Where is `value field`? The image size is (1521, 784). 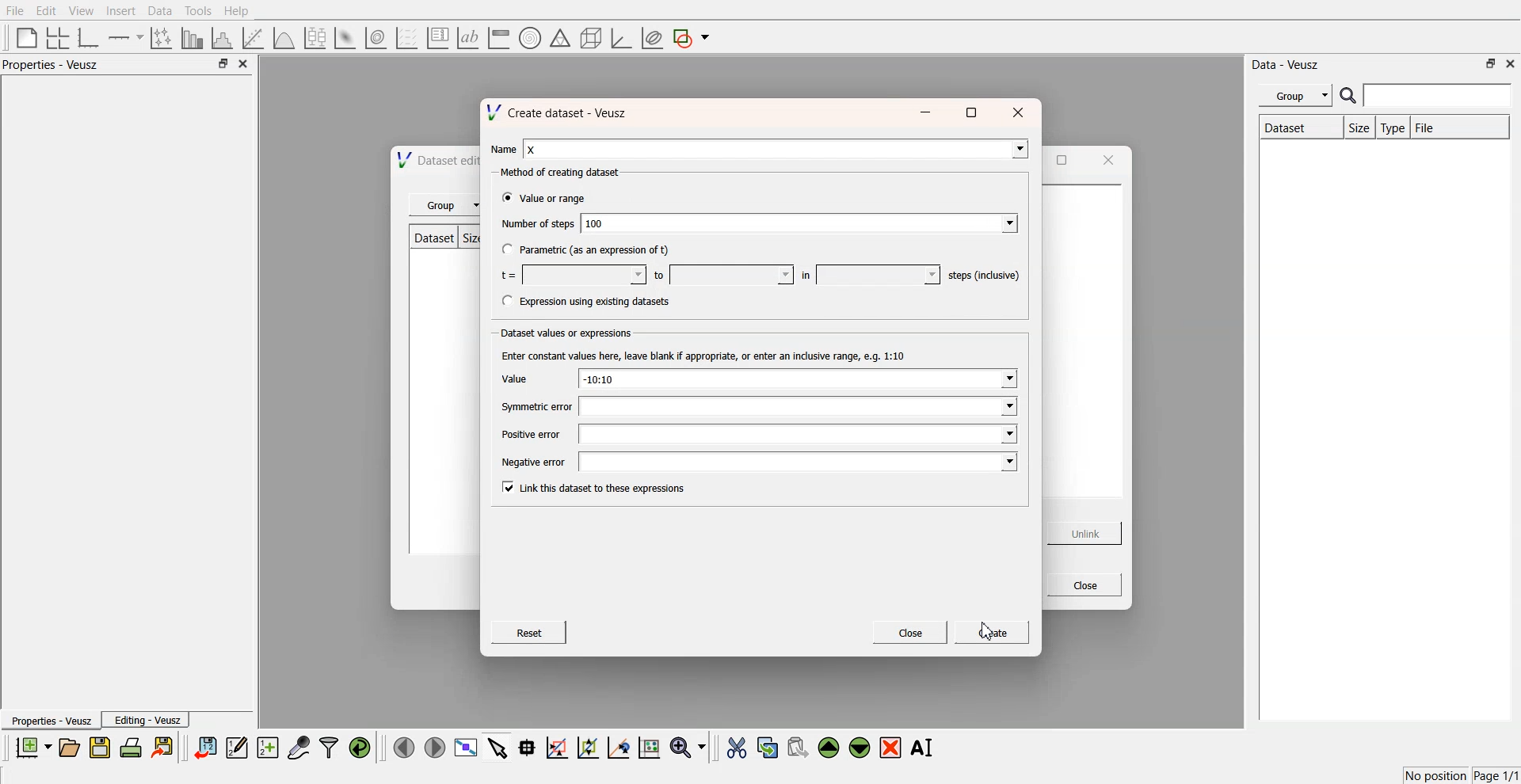 value field is located at coordinates (879, 273).